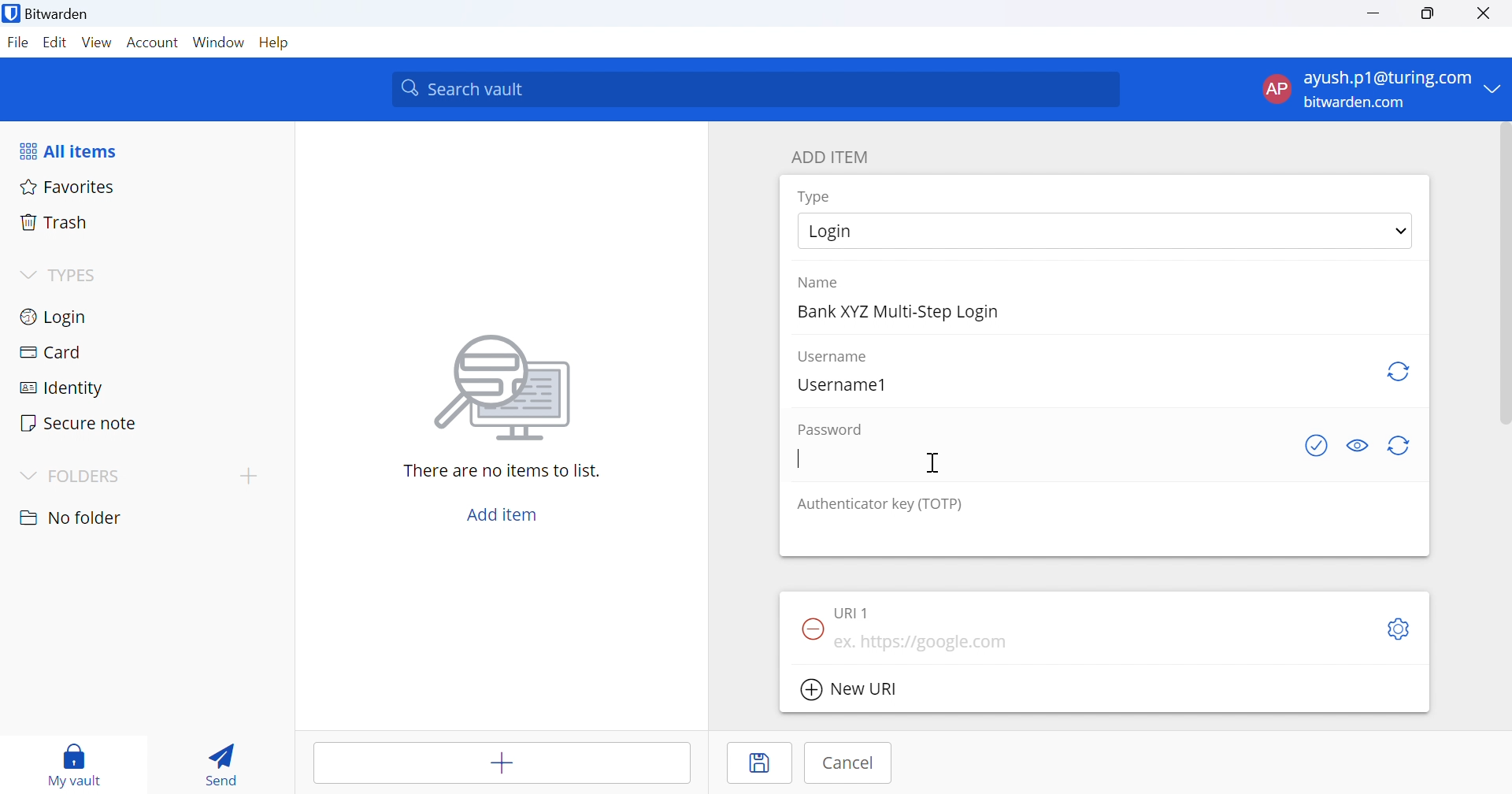 This screenshot has height=794, width=1512. What do you see at coordinates (62, 388) in the screenshot?
I see `Identity` at bounding box center [62, 388].